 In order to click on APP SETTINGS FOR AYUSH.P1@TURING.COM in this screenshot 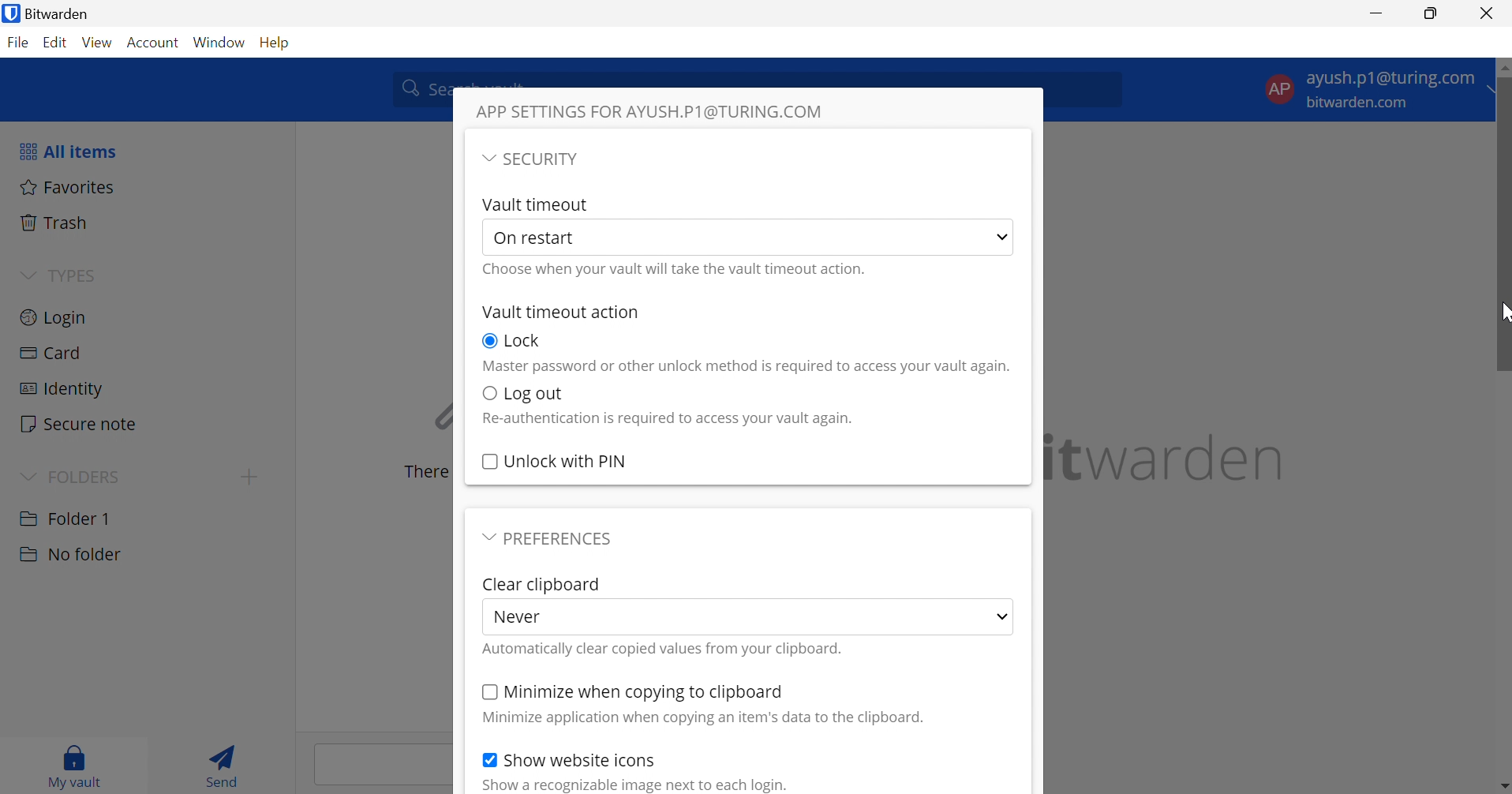, I will do `click(653, 110)`.